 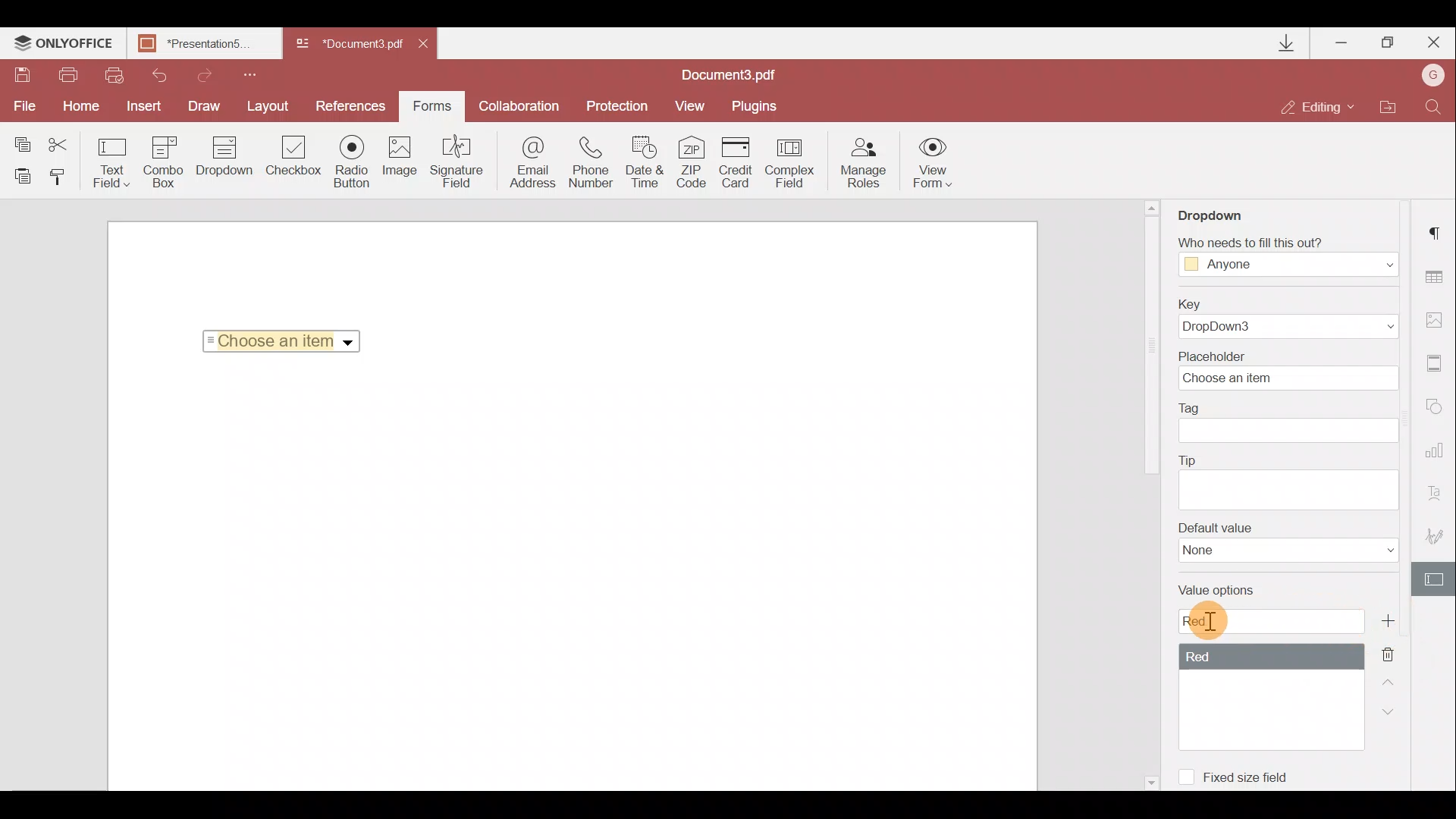 What do you see at coordinates (1213, 622) in the screenshot?
I see `Cursor` at bounding box center [1213, 622].